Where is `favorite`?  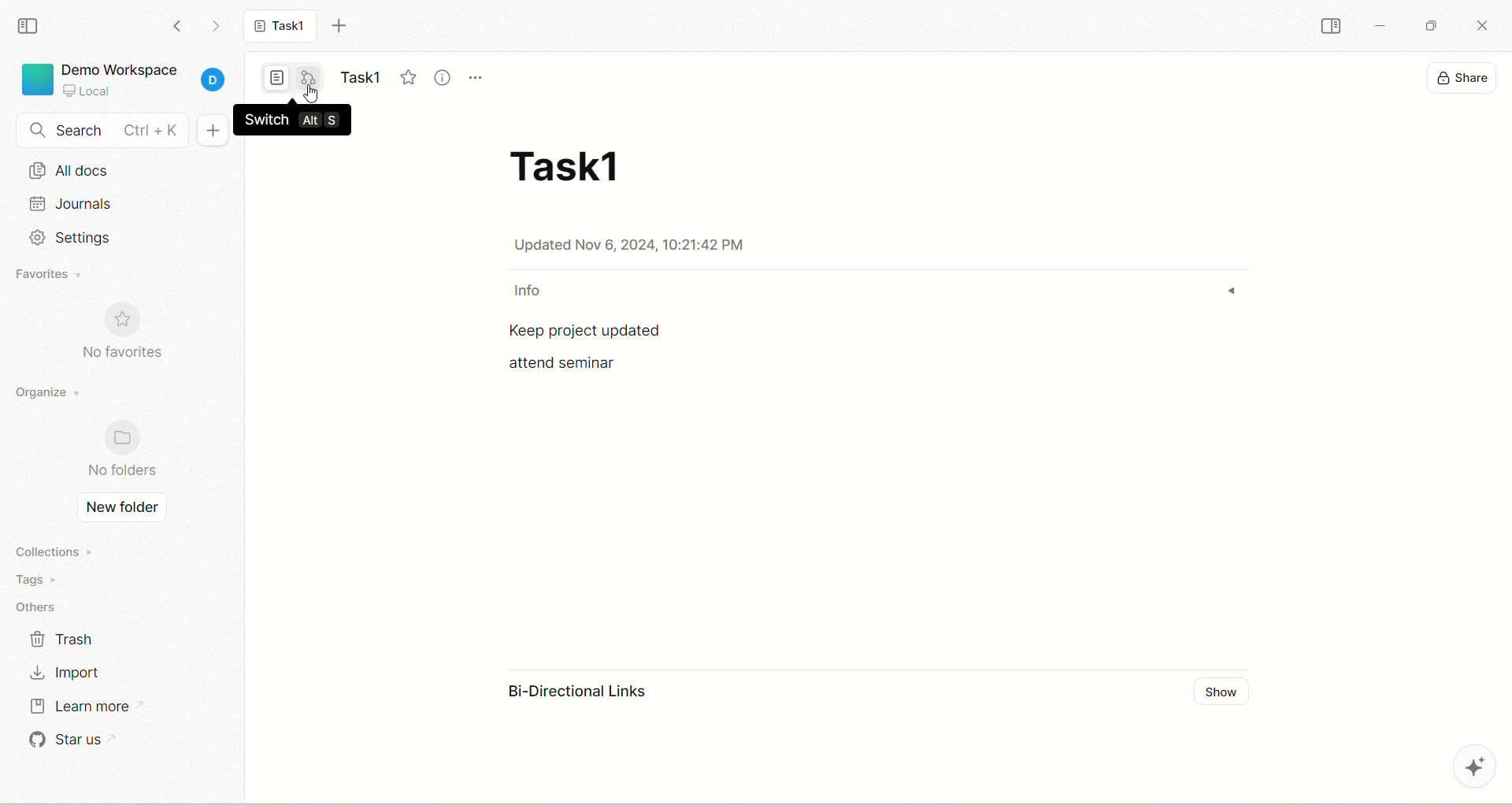
favorite is located at coordinates (406, 77).